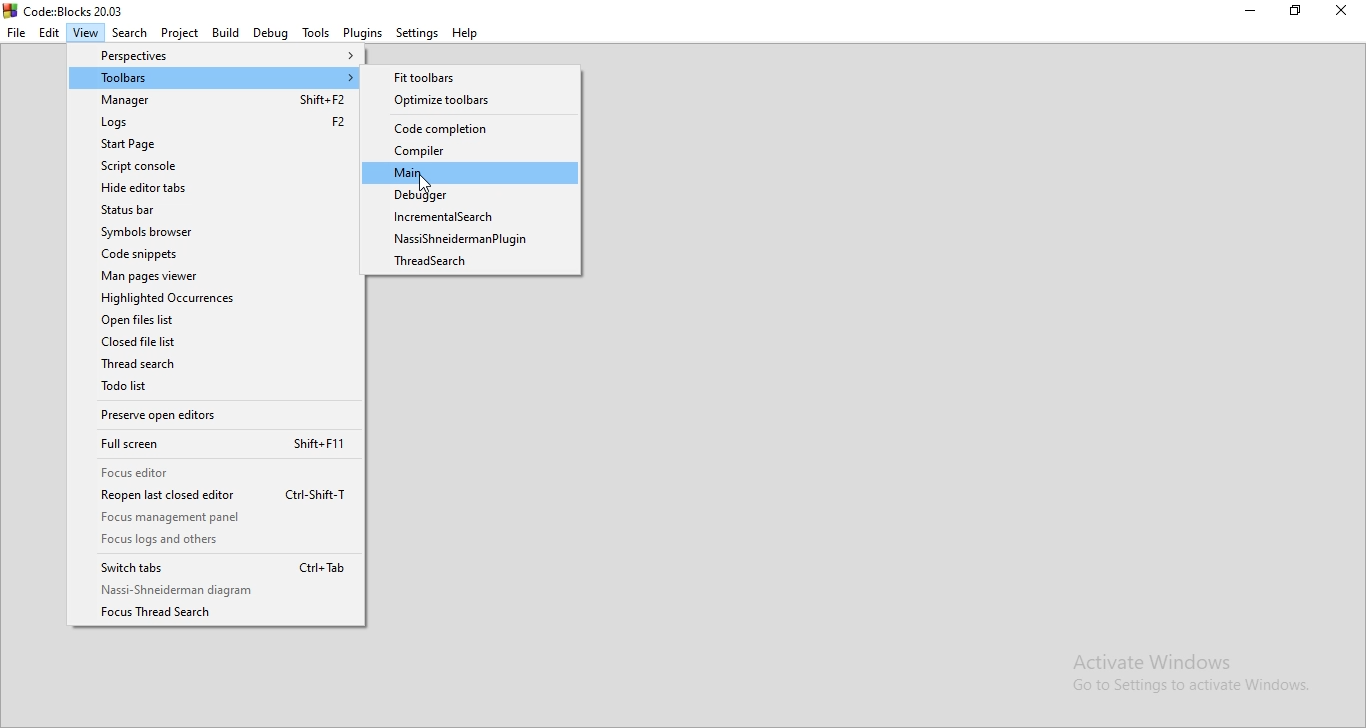 This screenshot has width=1366, height=728. I want to click on close, so click(1345, 12).